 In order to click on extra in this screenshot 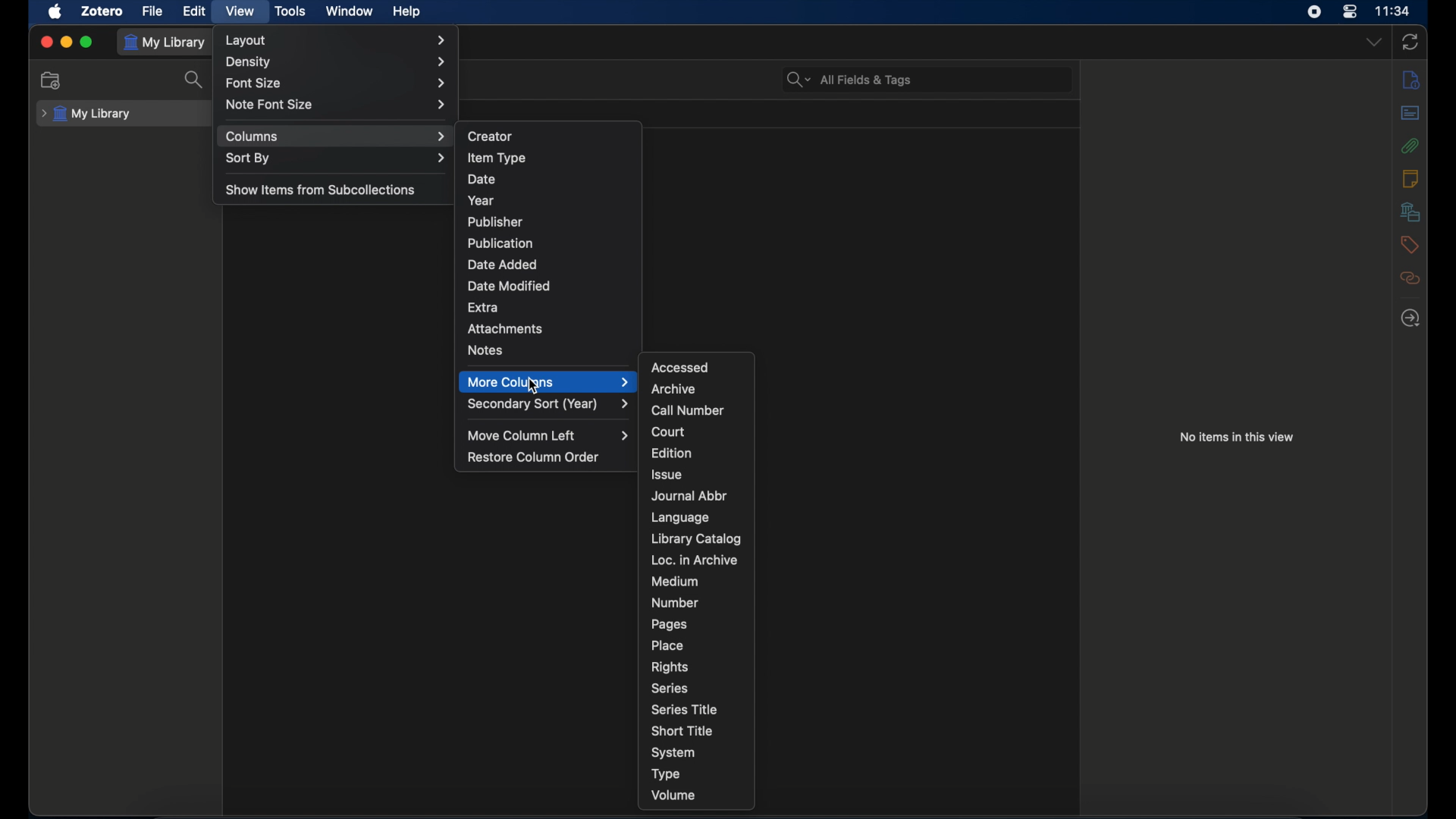, I will do `click(484, 307)`.